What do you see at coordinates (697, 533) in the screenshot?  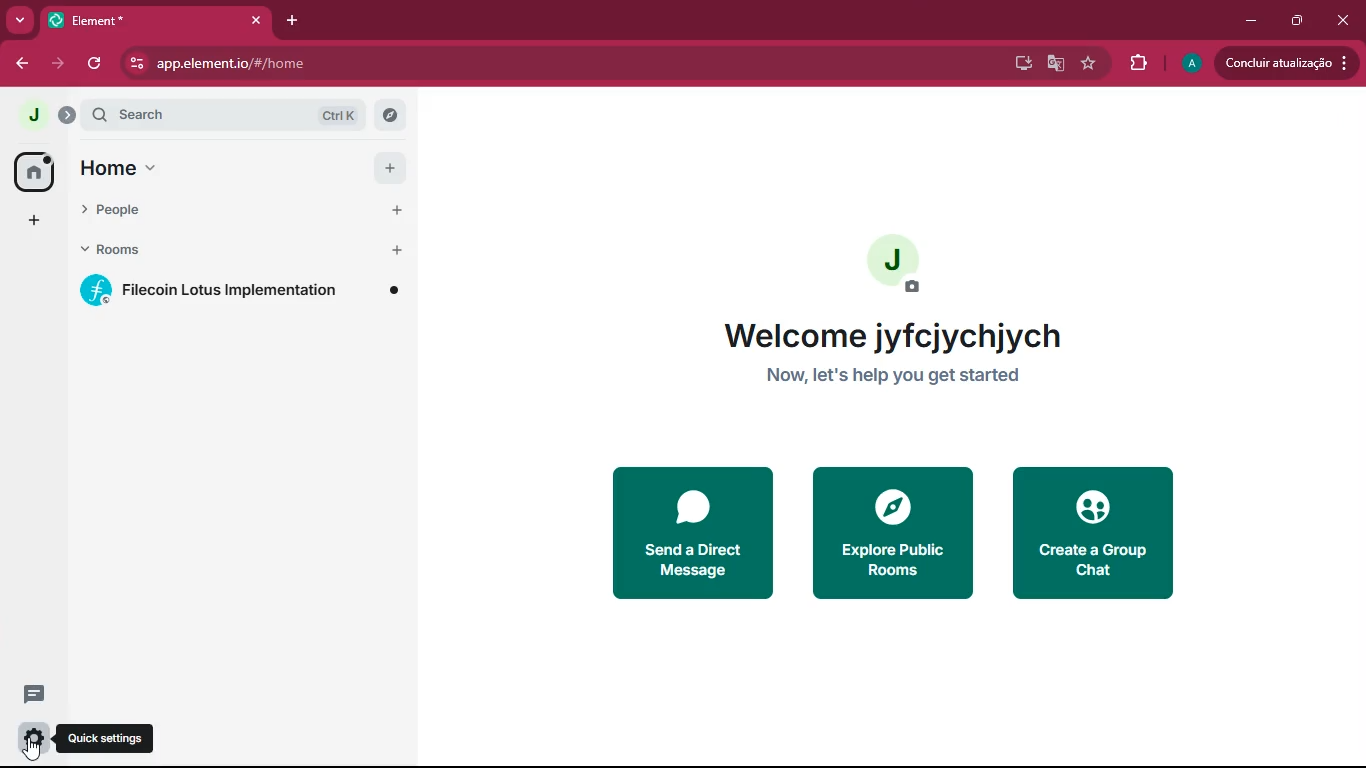 I see `send a direct message` at bounding box center [697, 533].